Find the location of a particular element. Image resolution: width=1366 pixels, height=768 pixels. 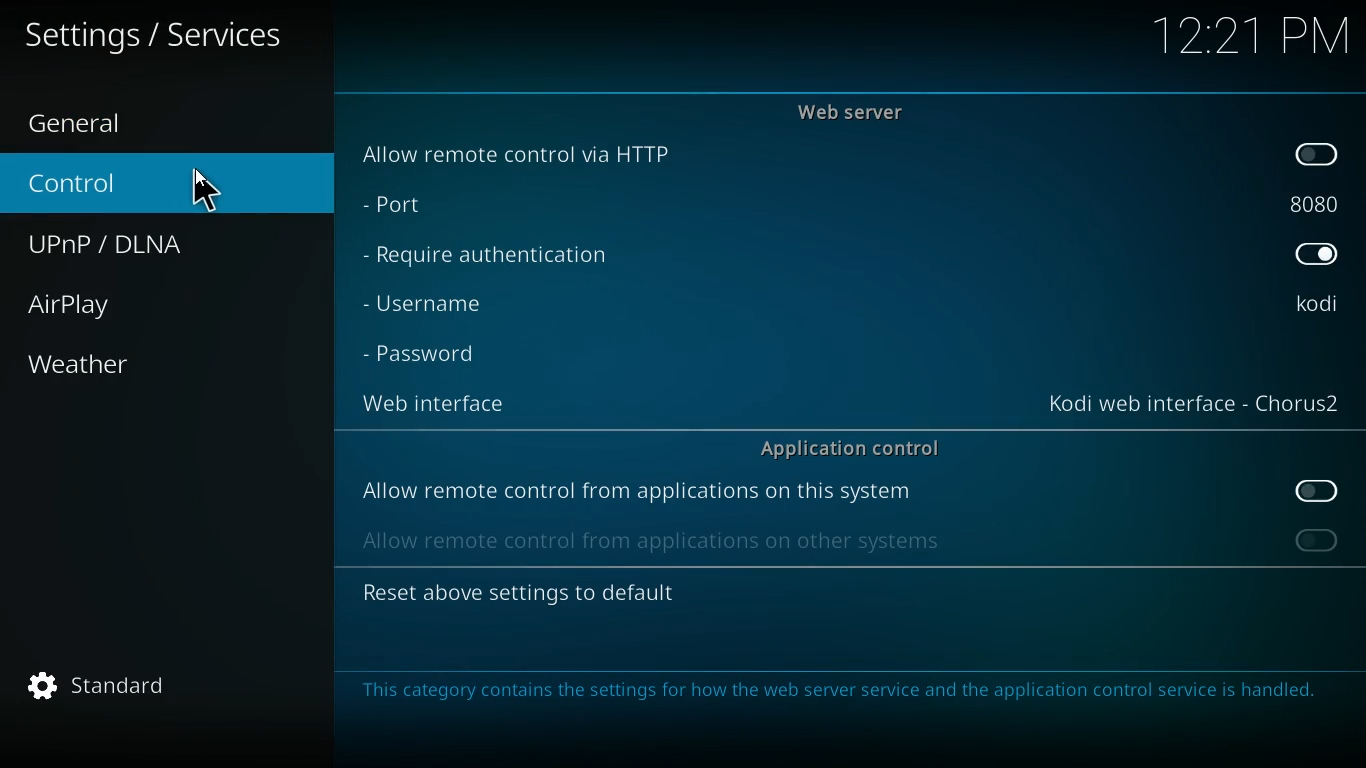

web interface is located at coordinates (441, 405).